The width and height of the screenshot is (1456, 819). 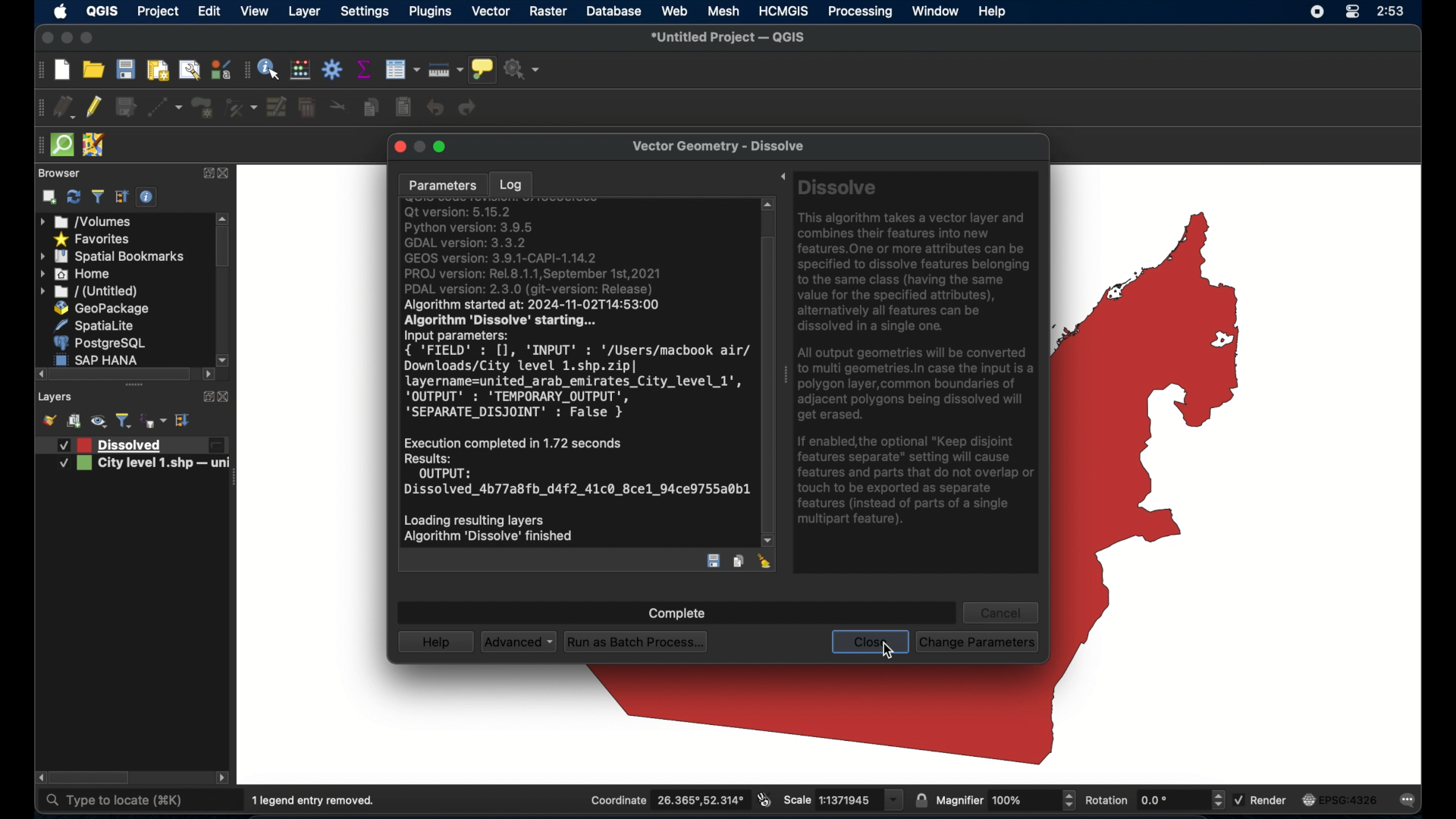 I want to click on scroll right arrow, so click(x=224, y=359).